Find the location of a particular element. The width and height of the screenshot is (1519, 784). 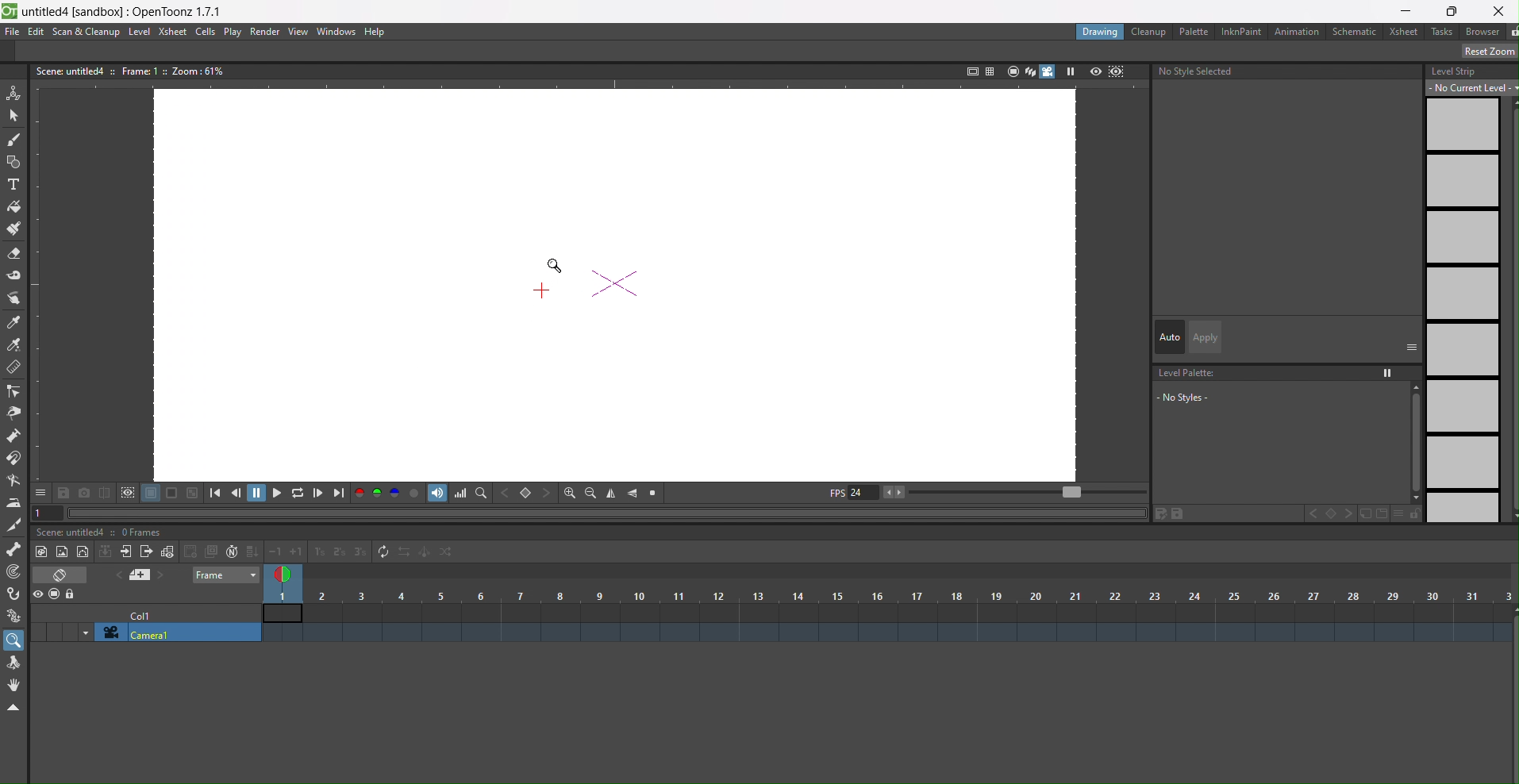

 is located at coordinates (232, 552).